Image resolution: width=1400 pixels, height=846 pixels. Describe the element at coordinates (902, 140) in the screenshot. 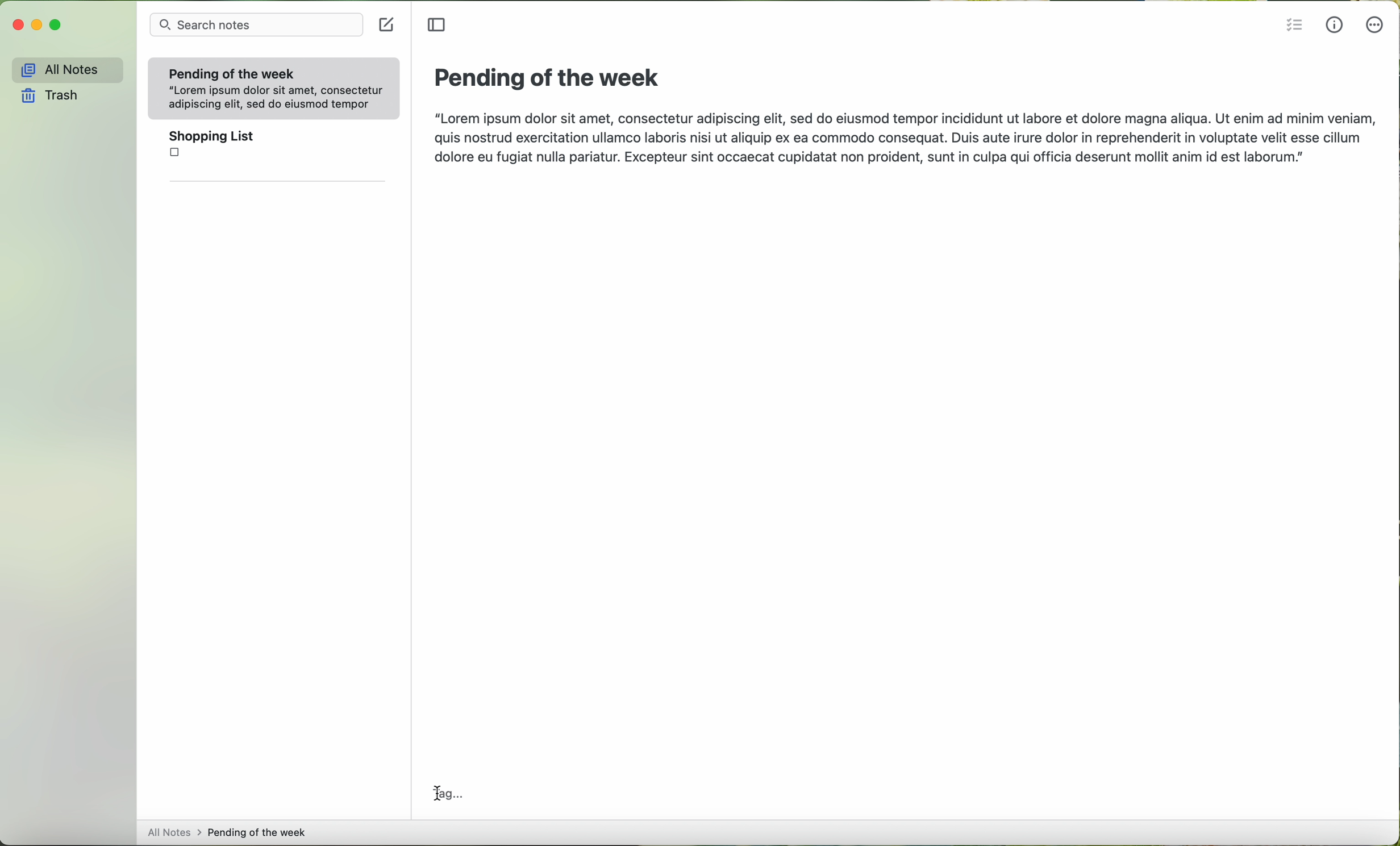

I see `“Lorem ipsum dolor sit amet, consectetur adipiscing elit, sed do eiusmod tempor incididunt ut labore et dolore magna aliqua. Ut enim ad minim veniam,
quis nostrud exercitation ullamco laboris nisi ut aliquip ex ea commodo consequat. Duis aute irure dolor in reprehenderit in voluptate velit esse cillum
dolore eu fugiat nulla pariatur. Excepteur sint occaecat cupidatat non proident, sunt in culpa qui officia deserunt mollit anim id est laborum.”` at that location.